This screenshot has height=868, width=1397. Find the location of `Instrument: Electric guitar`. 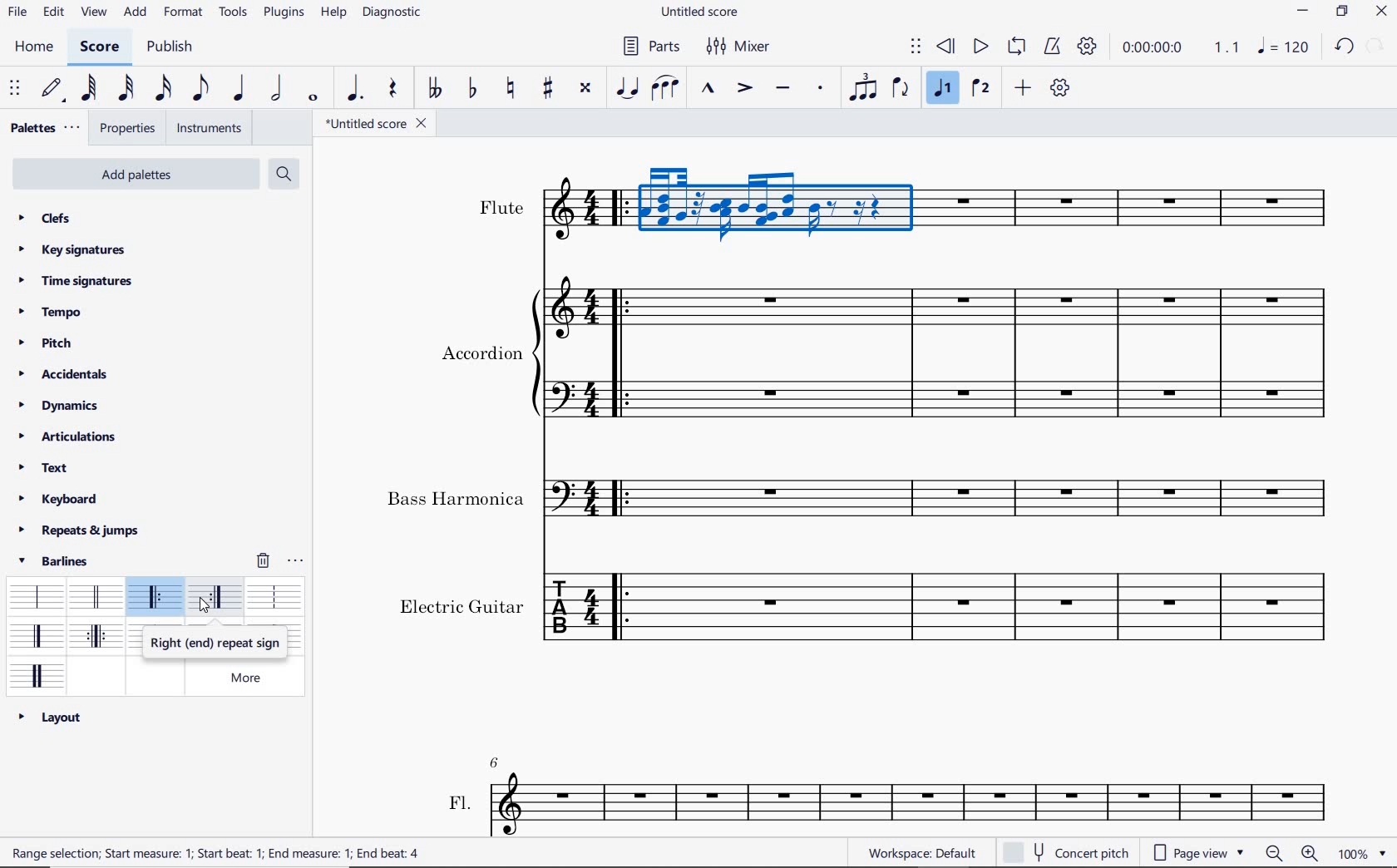

Instrument: Electric guitar is located at coordinates (572, 611).